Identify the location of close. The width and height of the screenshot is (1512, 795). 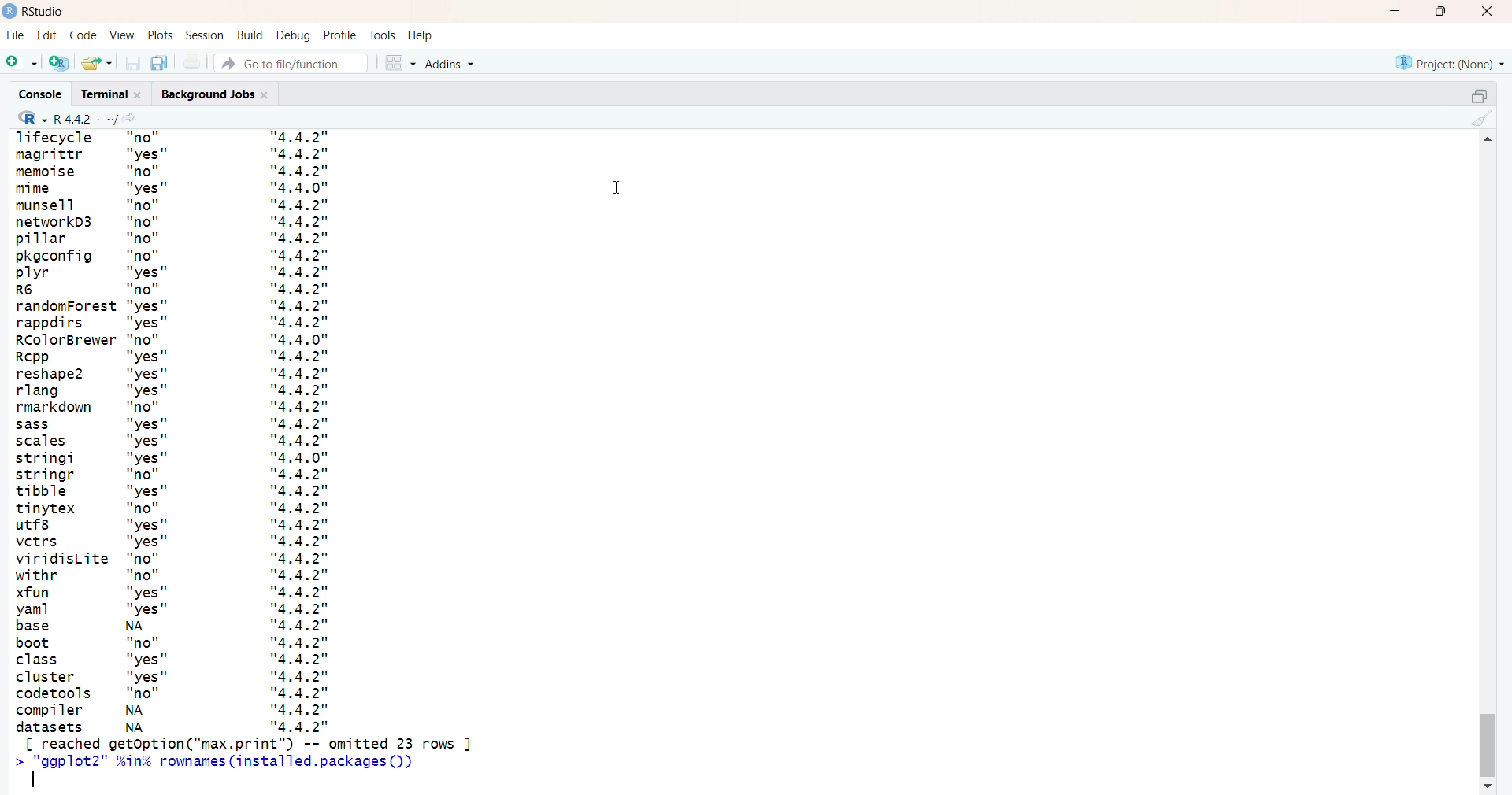
(1491, 10).